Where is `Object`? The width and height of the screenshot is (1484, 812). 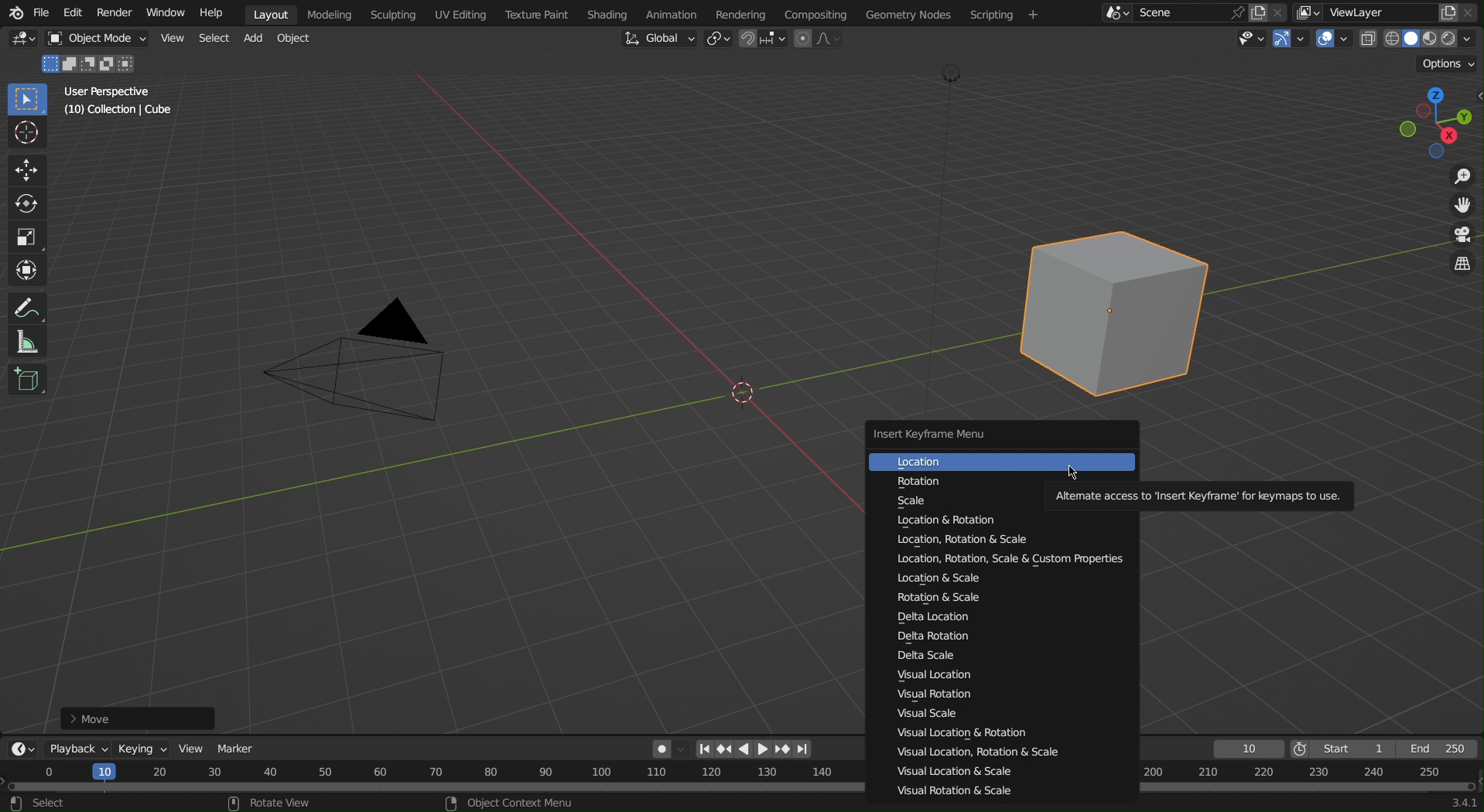
Object is located at coordinates (296, 39).